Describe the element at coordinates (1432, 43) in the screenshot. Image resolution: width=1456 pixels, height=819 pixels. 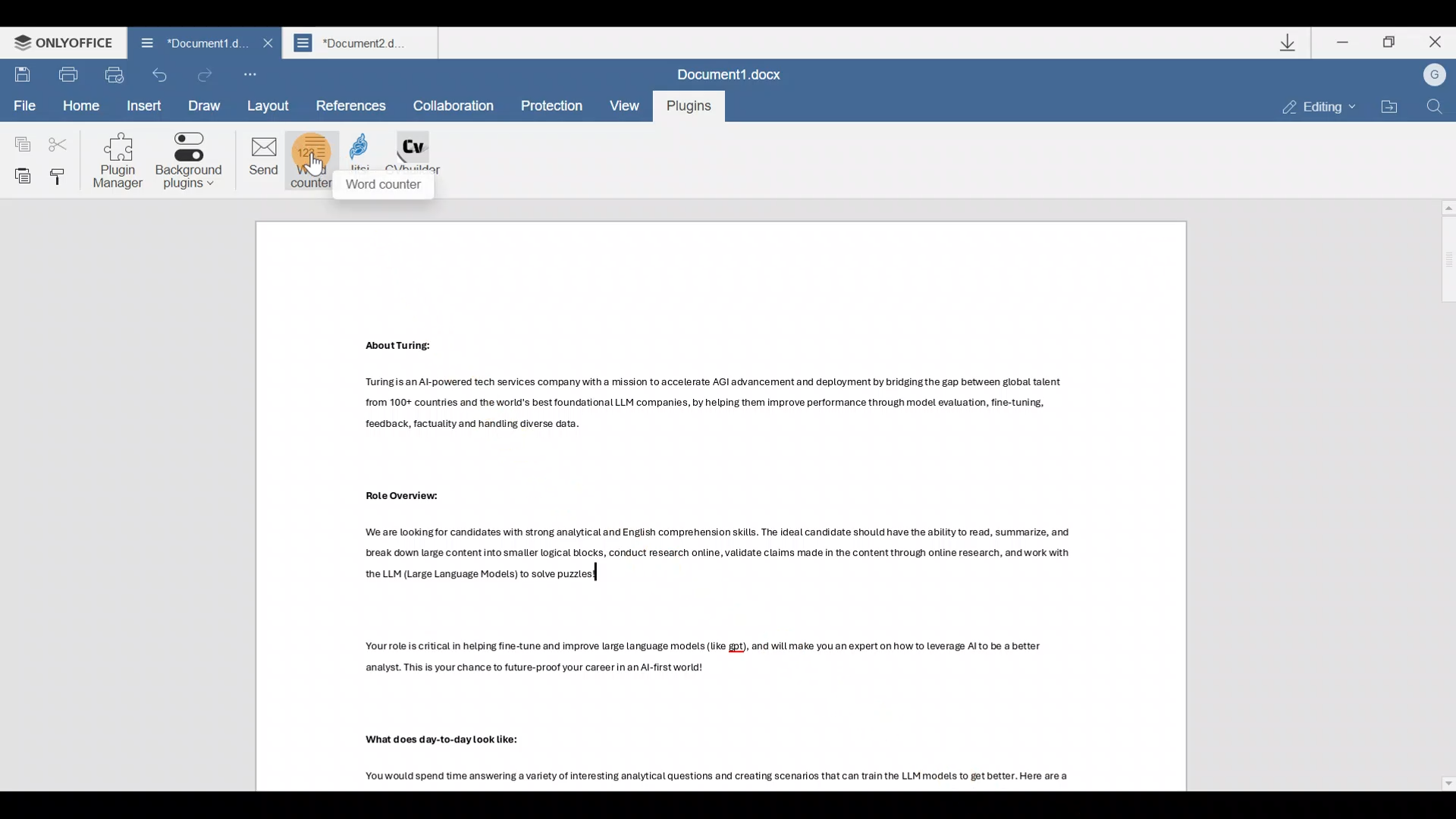
I see `Close` at that location.